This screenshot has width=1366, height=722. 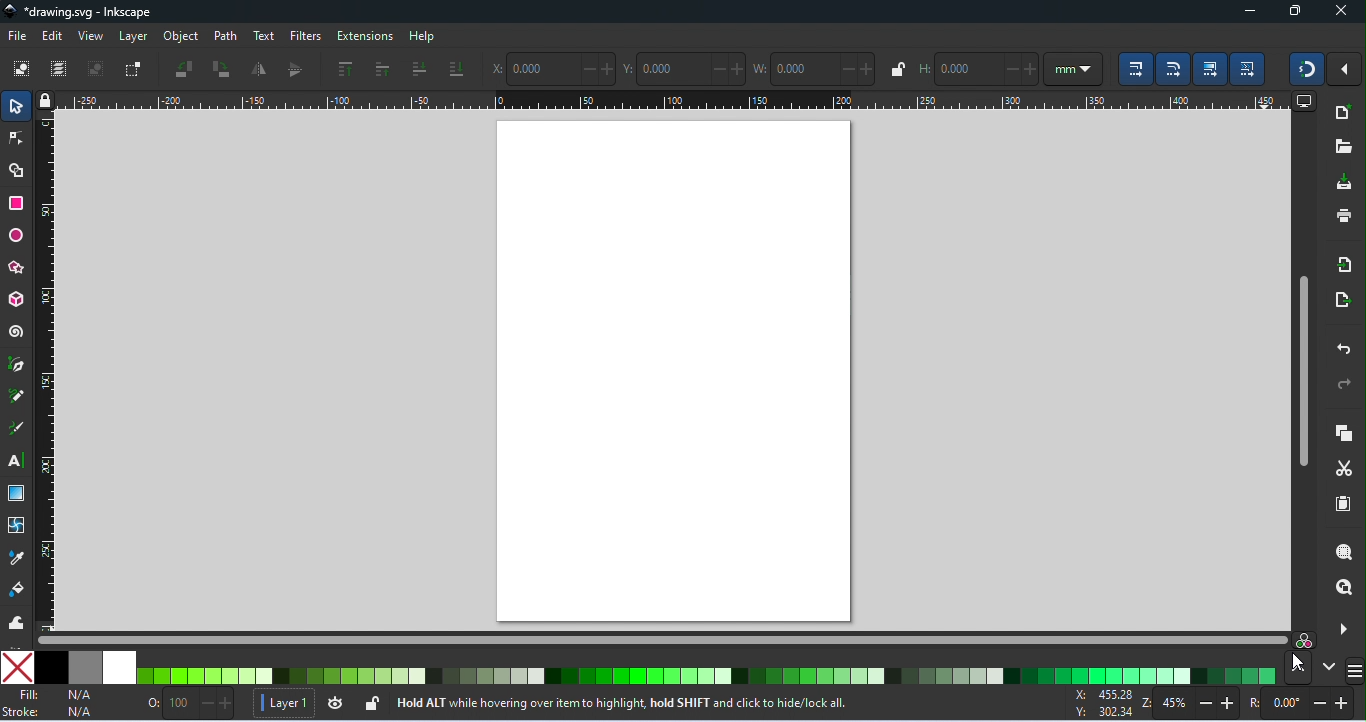 I want to click on ellipse/ arc, so click(x=15, y=236).